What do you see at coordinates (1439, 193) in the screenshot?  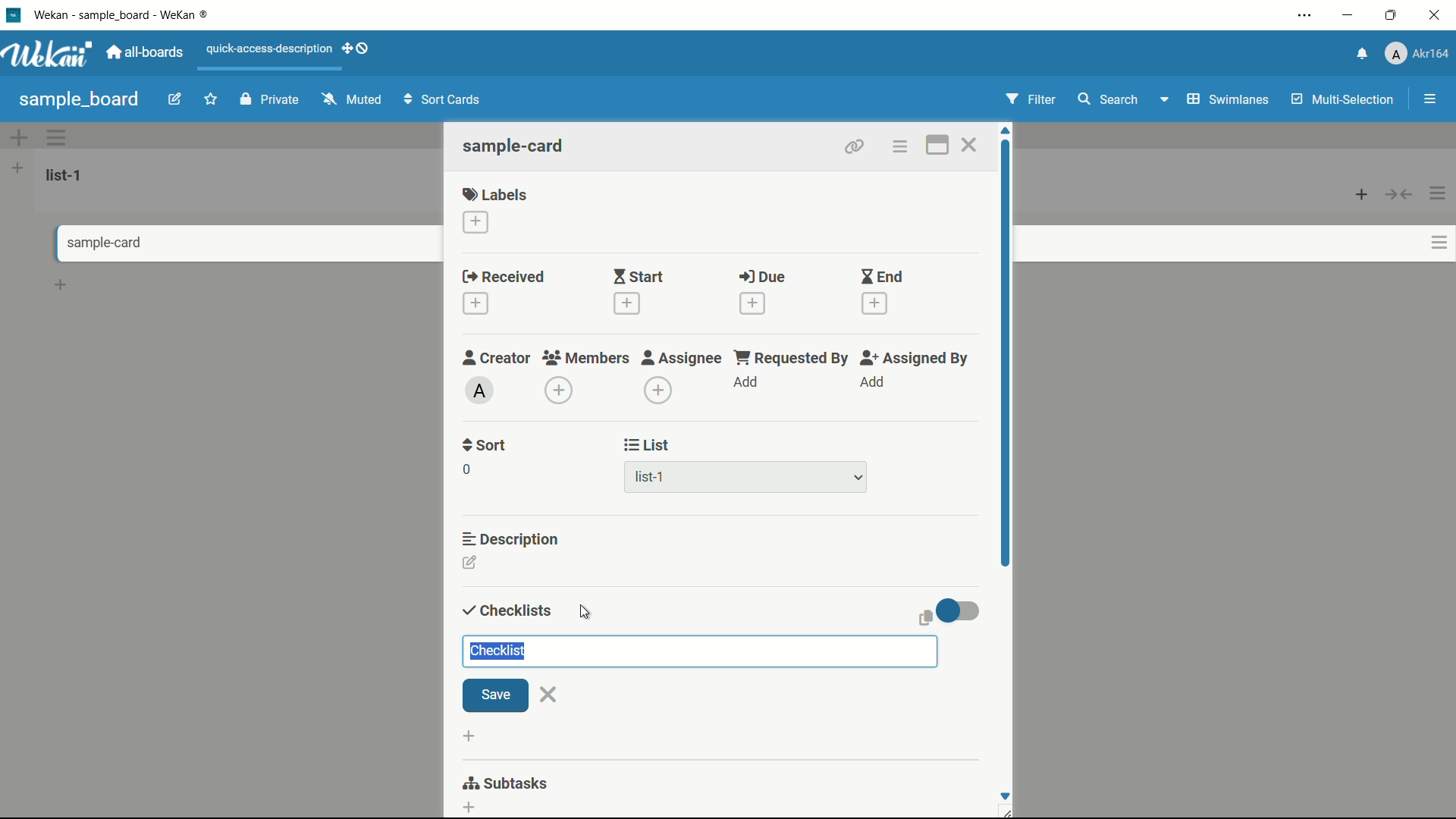 I see `list actions` at bounding box center [1439, 193].